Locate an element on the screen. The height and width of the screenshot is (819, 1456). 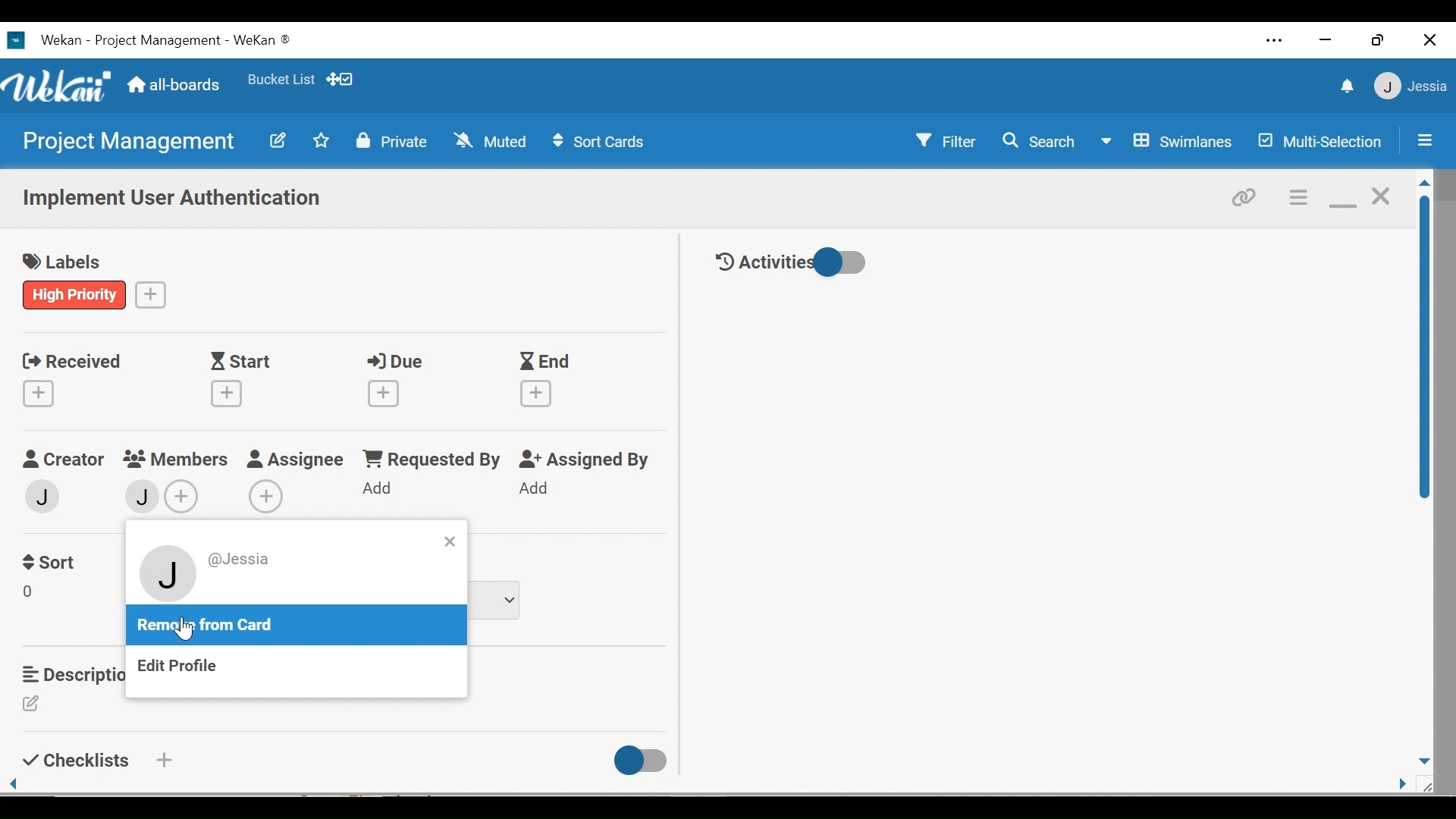
Wekan - Project Management - WeKan ® is located at coordinates (163, 41).